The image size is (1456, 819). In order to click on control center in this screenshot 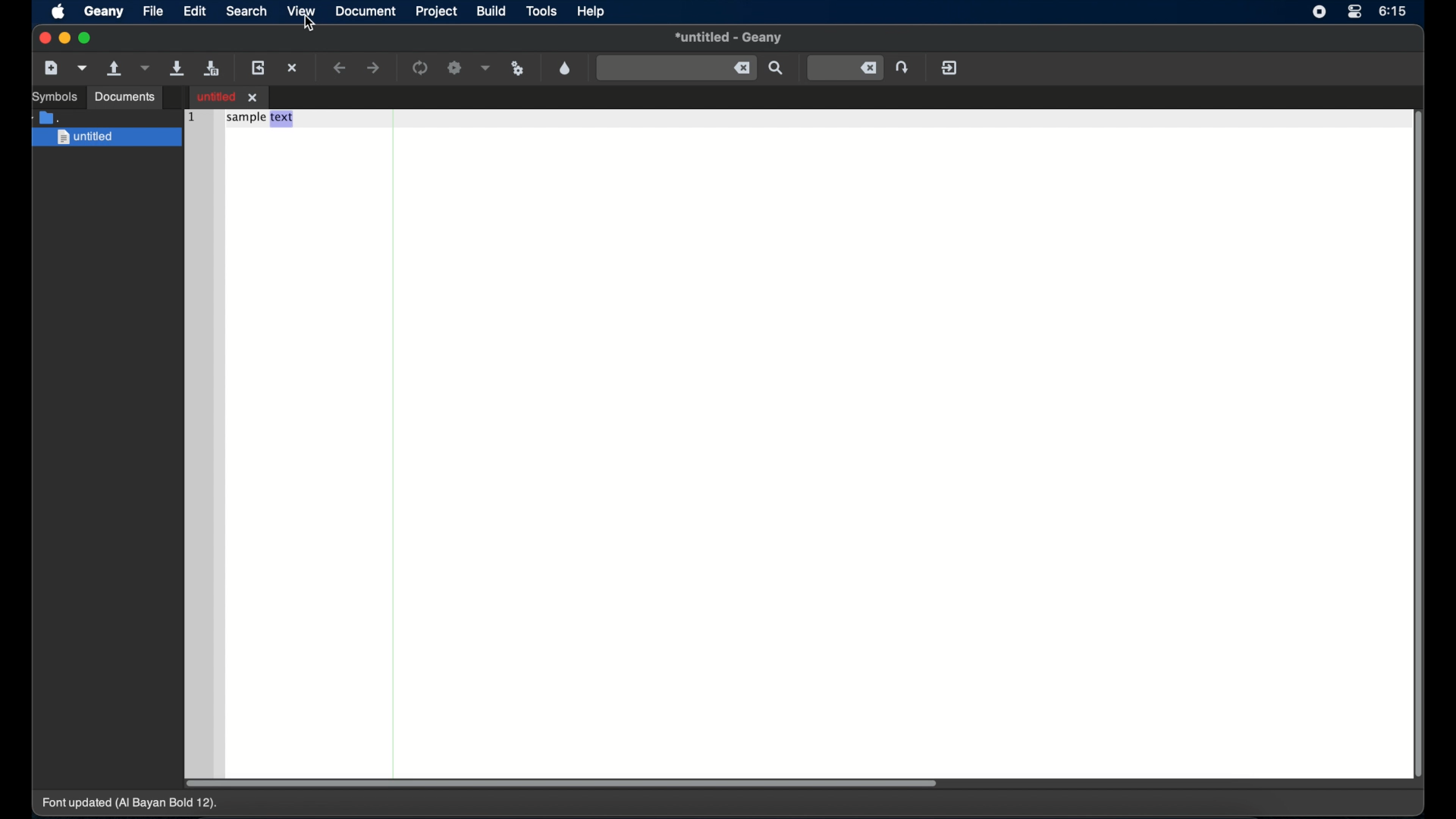, I will do `click(1354, 12)`.